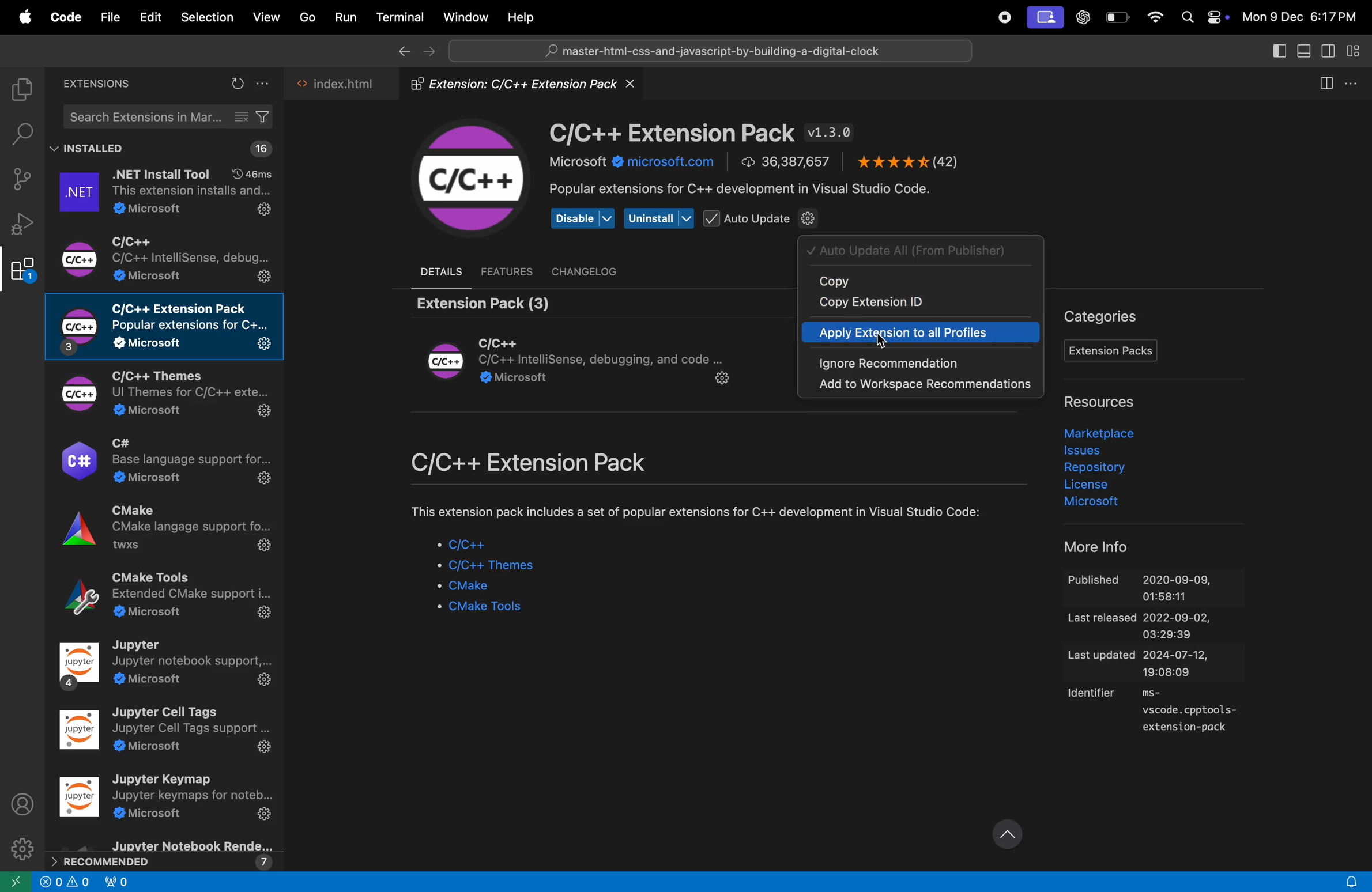  I want to click on toggle secondary side bar, so click(1276, 50).